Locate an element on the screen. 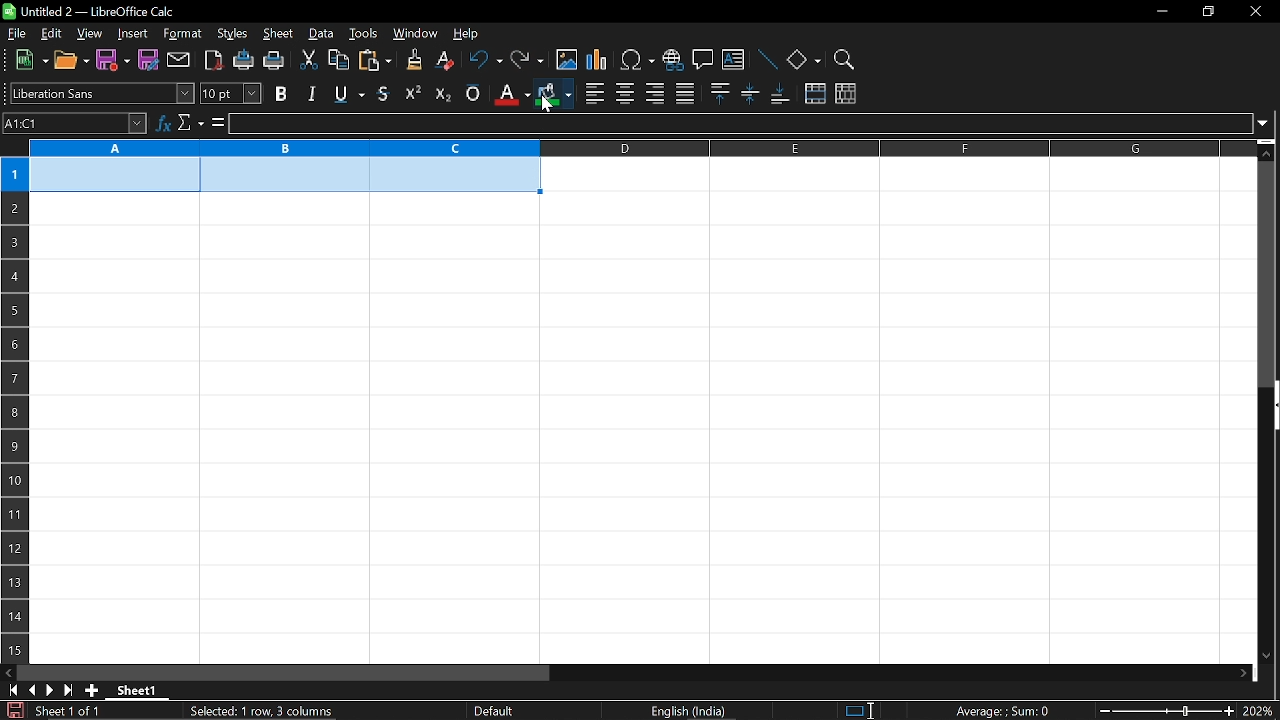 This screenshot has width=1280, height=720. line is located at coordinates (767, 59).